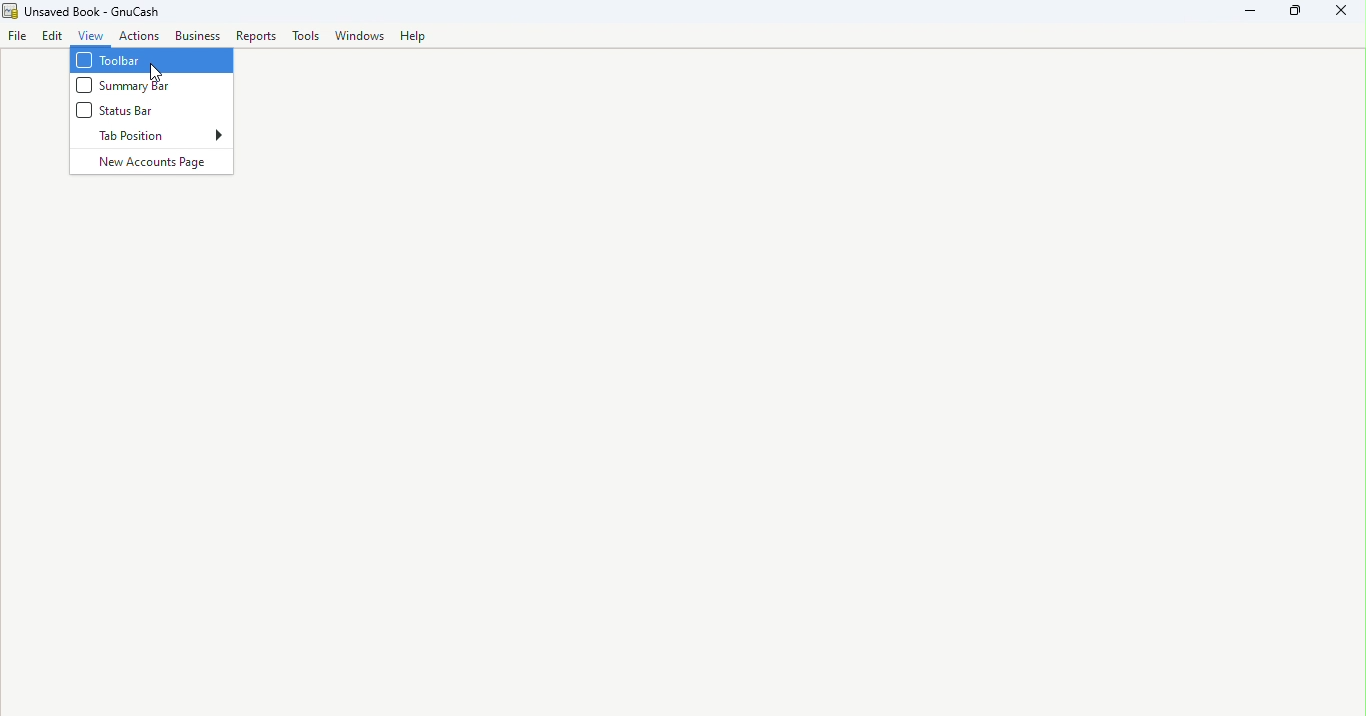  Describe the element at coordinates (414, 36) in the screenshot. I see `Help` at that location.